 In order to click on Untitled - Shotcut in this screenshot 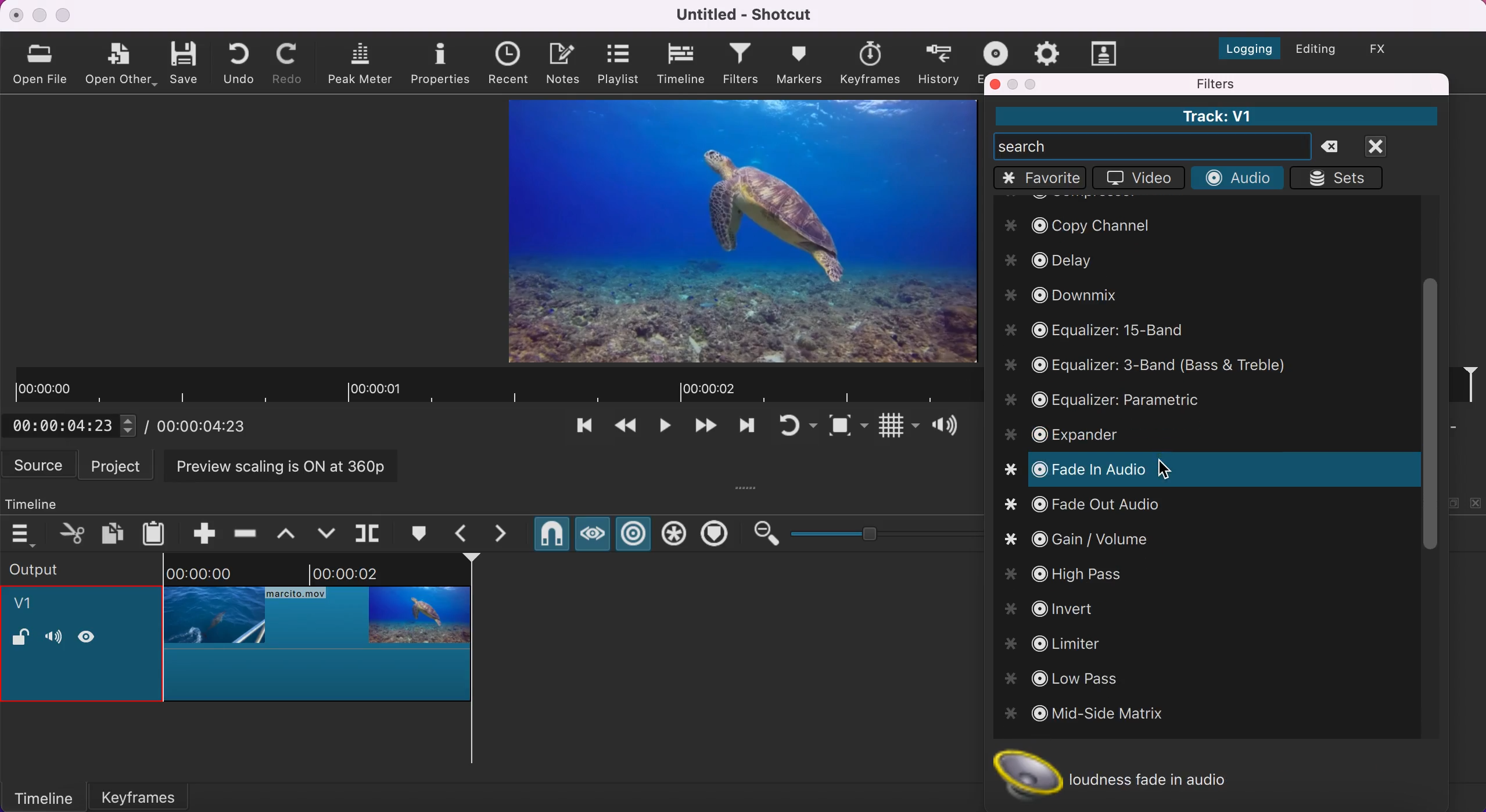, I will do `click(747, 15)`.